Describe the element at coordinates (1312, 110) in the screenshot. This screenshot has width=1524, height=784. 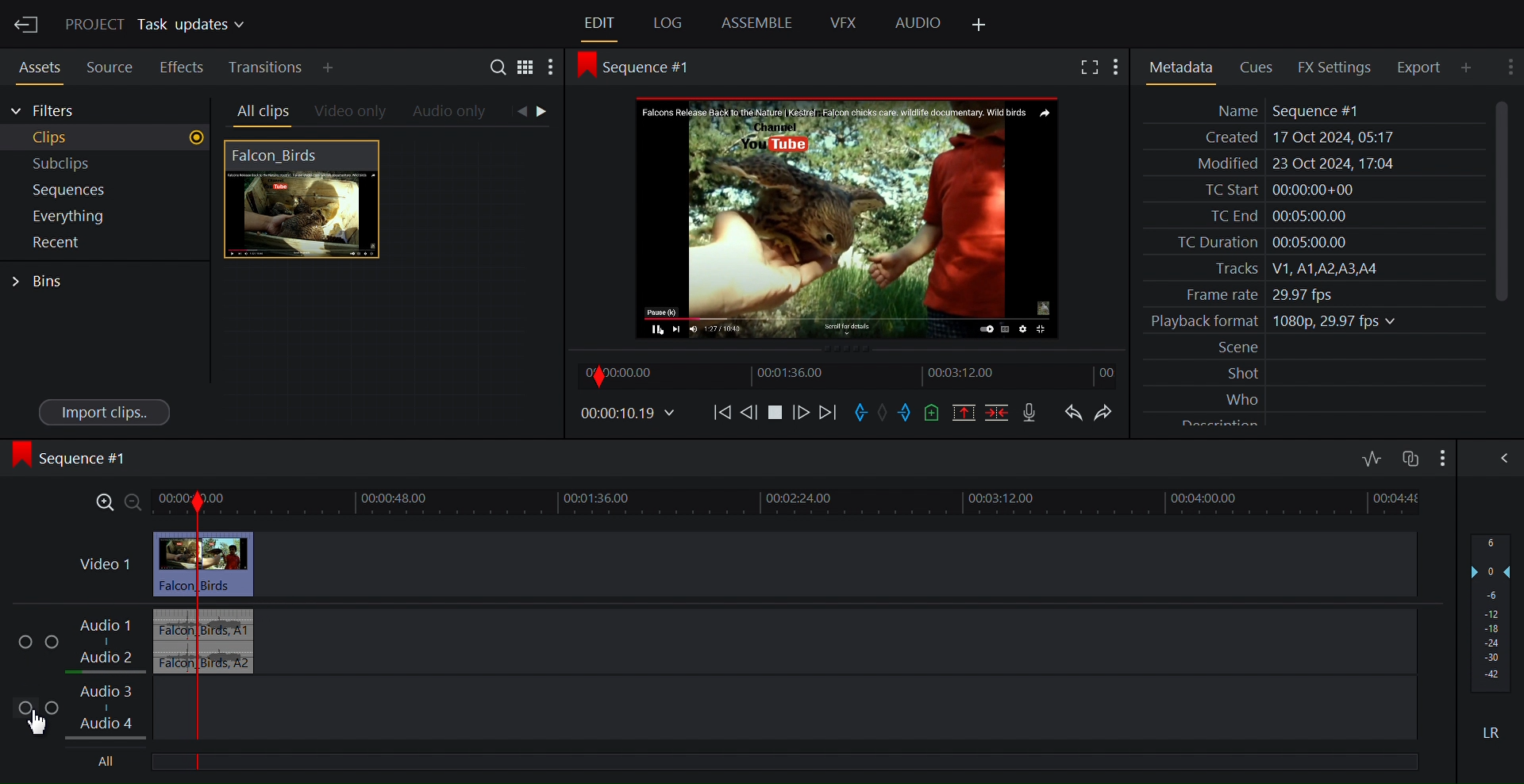
I see `Name` at that location.